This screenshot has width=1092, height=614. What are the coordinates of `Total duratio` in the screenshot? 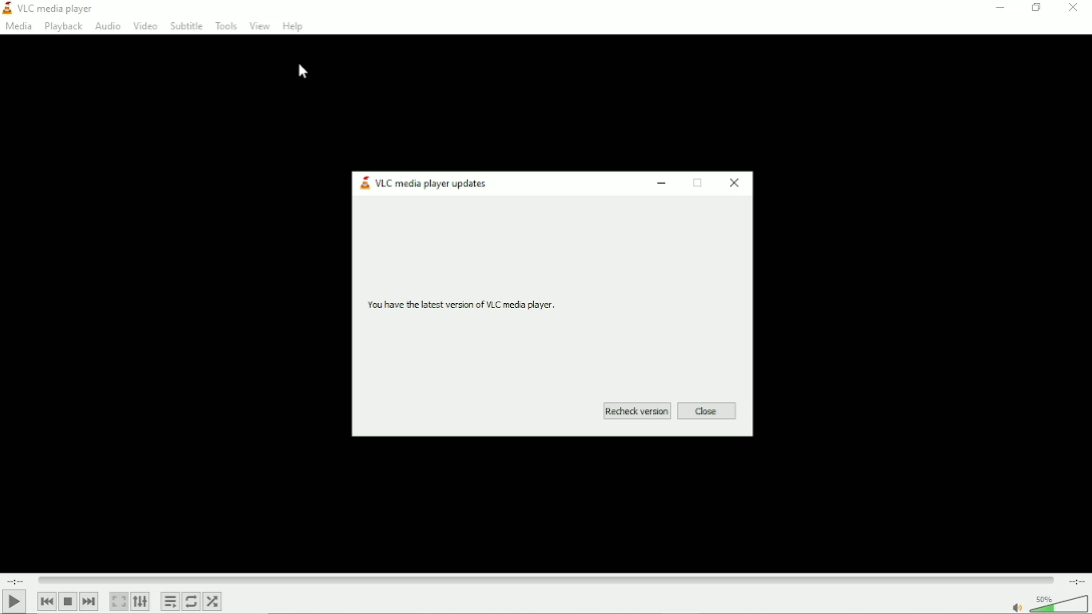 It's located at (1076, 582).